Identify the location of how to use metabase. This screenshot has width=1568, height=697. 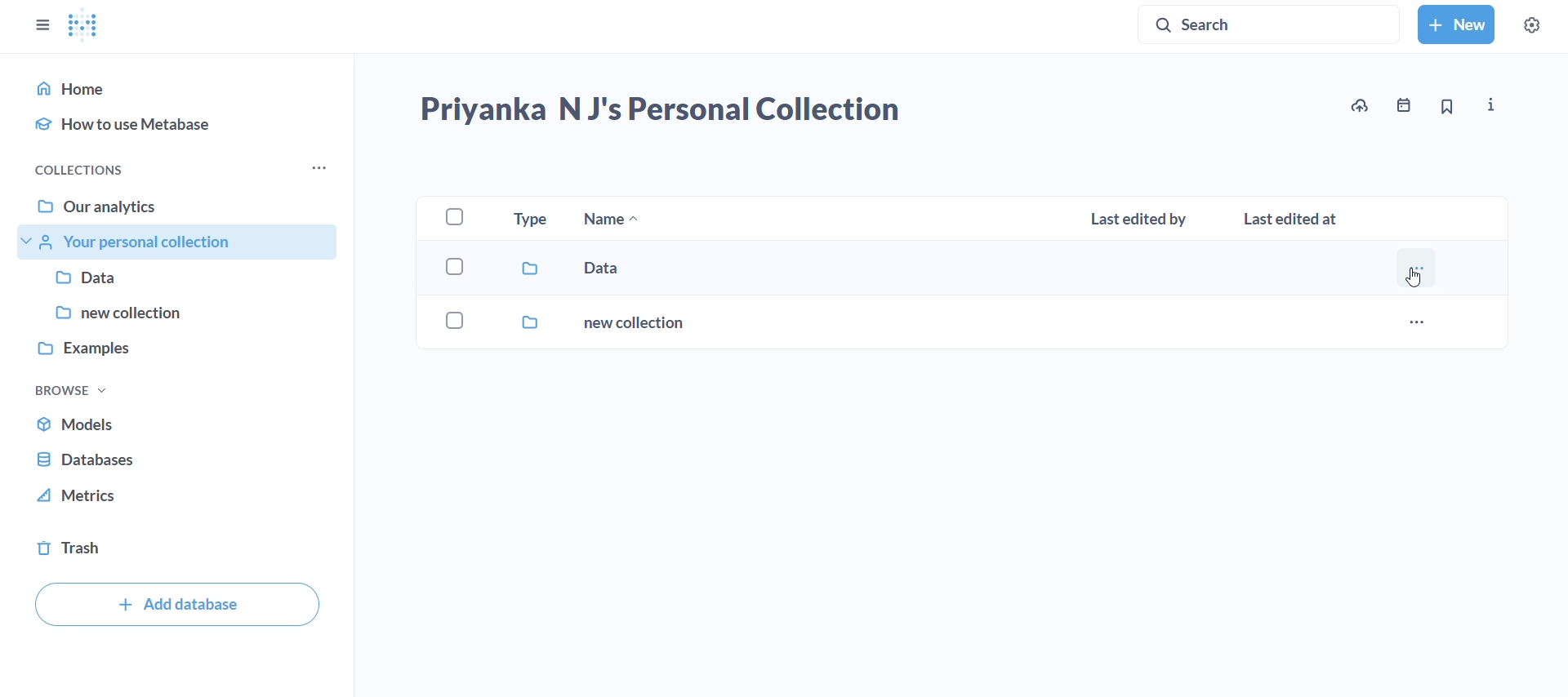
(179, 126).